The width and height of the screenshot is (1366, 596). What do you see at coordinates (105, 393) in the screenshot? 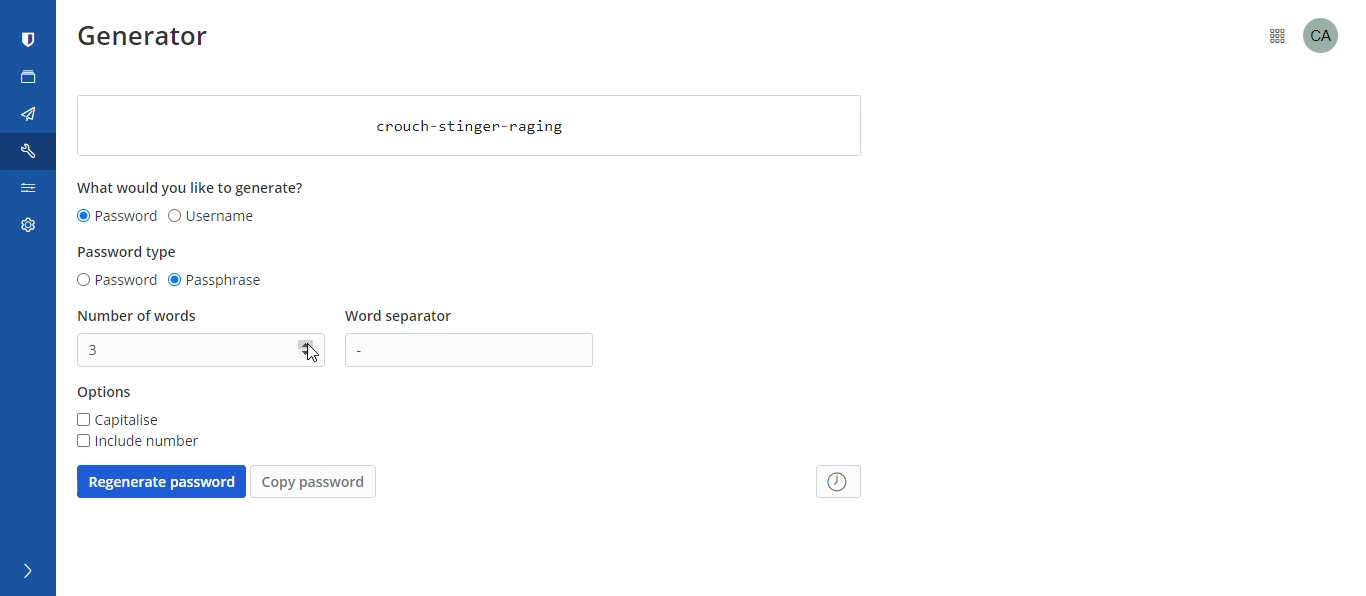
I see `options` at bounding box center [105, 393].